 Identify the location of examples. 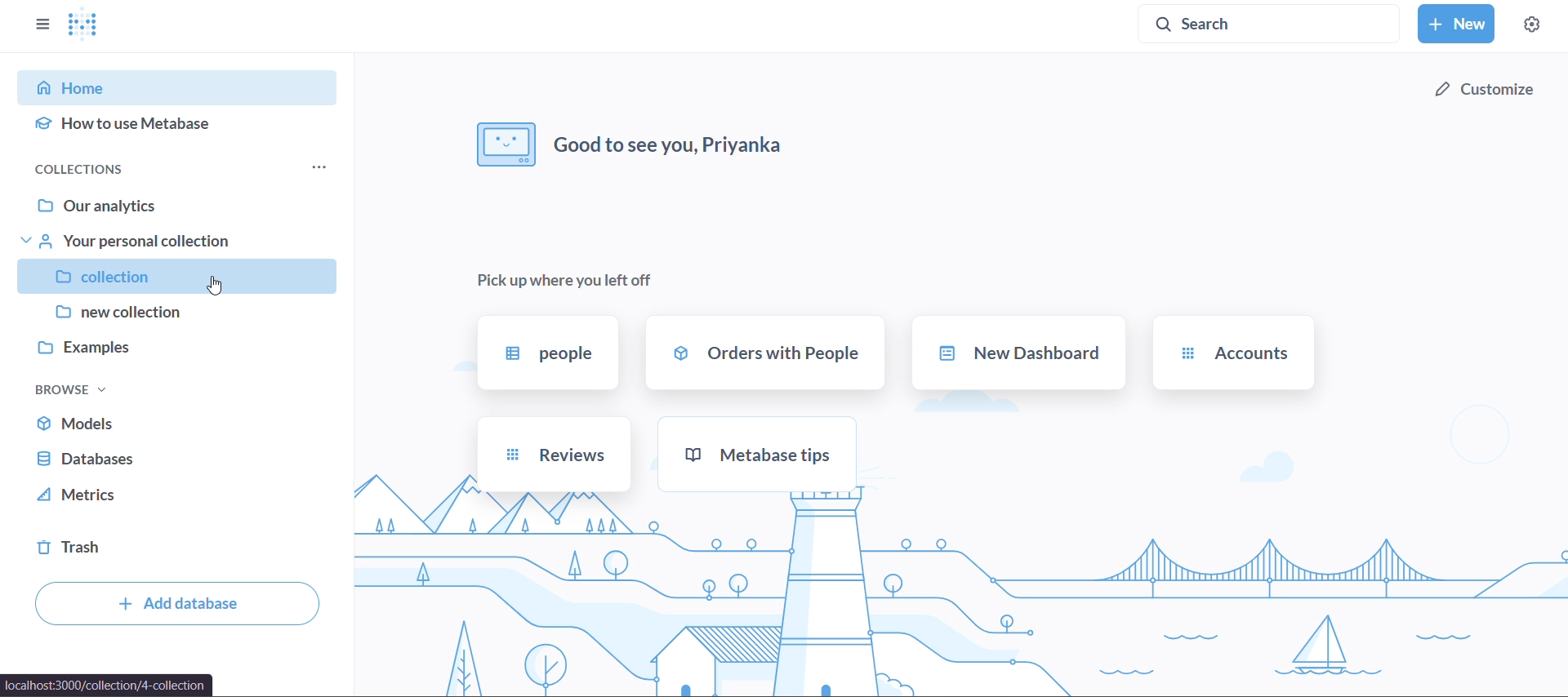
(176, 354).